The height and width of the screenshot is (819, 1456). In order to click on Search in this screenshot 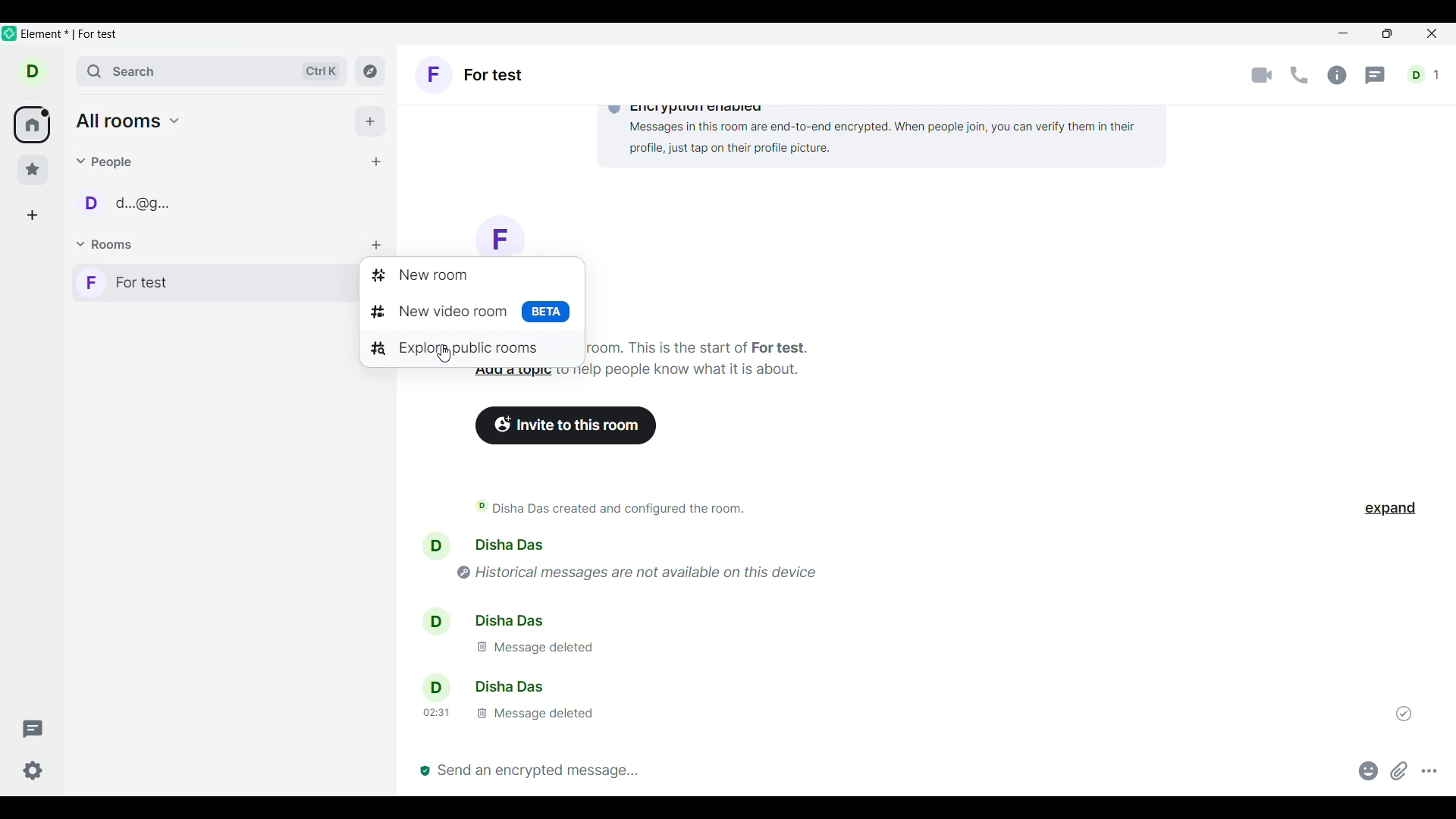, I will do `click(212, 71)`.